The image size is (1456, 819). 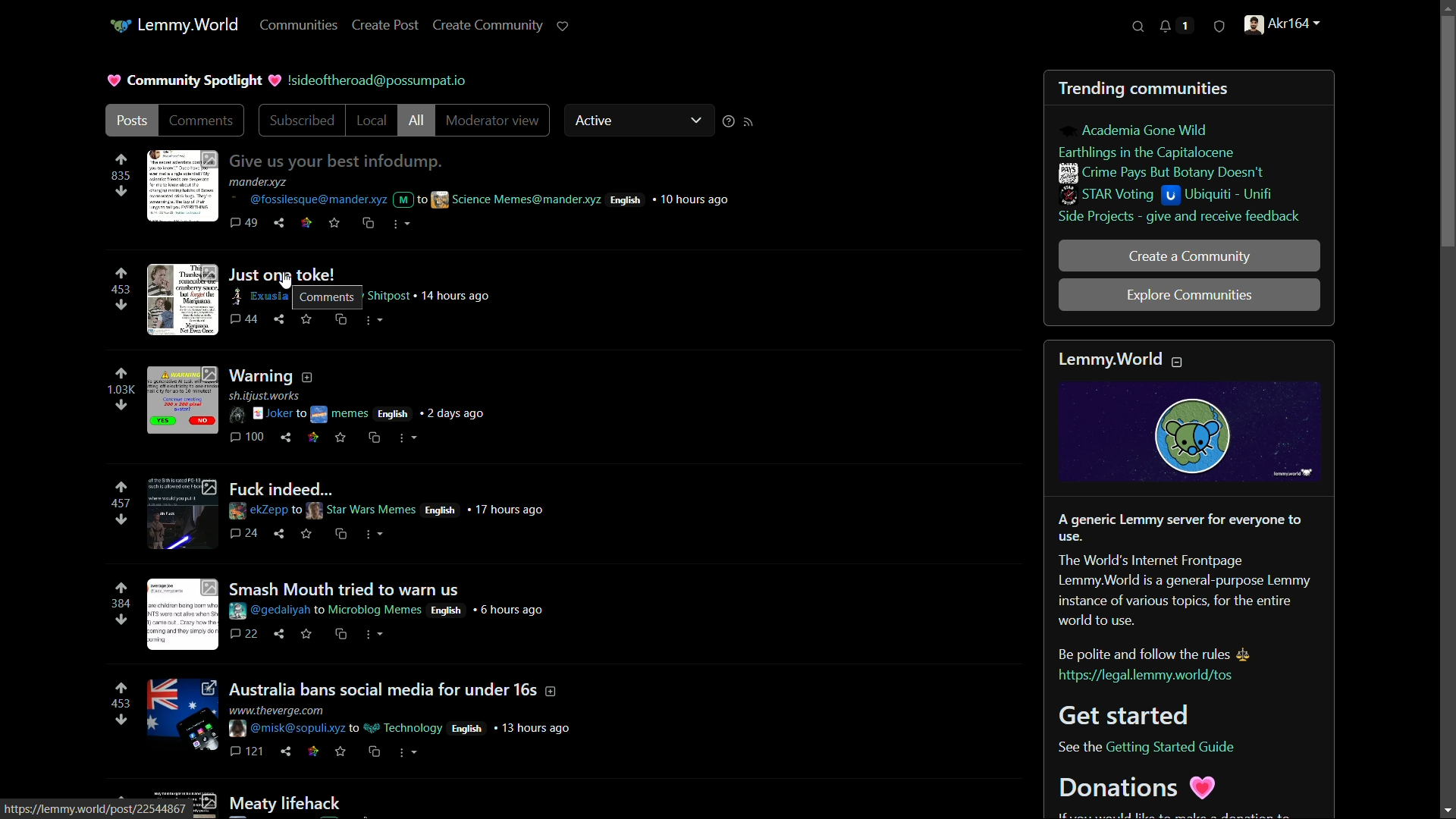 What do you see at coordinates (306, 200) in the screenshot?
I see `@fossilesque@mander.xyz` at bounding box center [306, 200].